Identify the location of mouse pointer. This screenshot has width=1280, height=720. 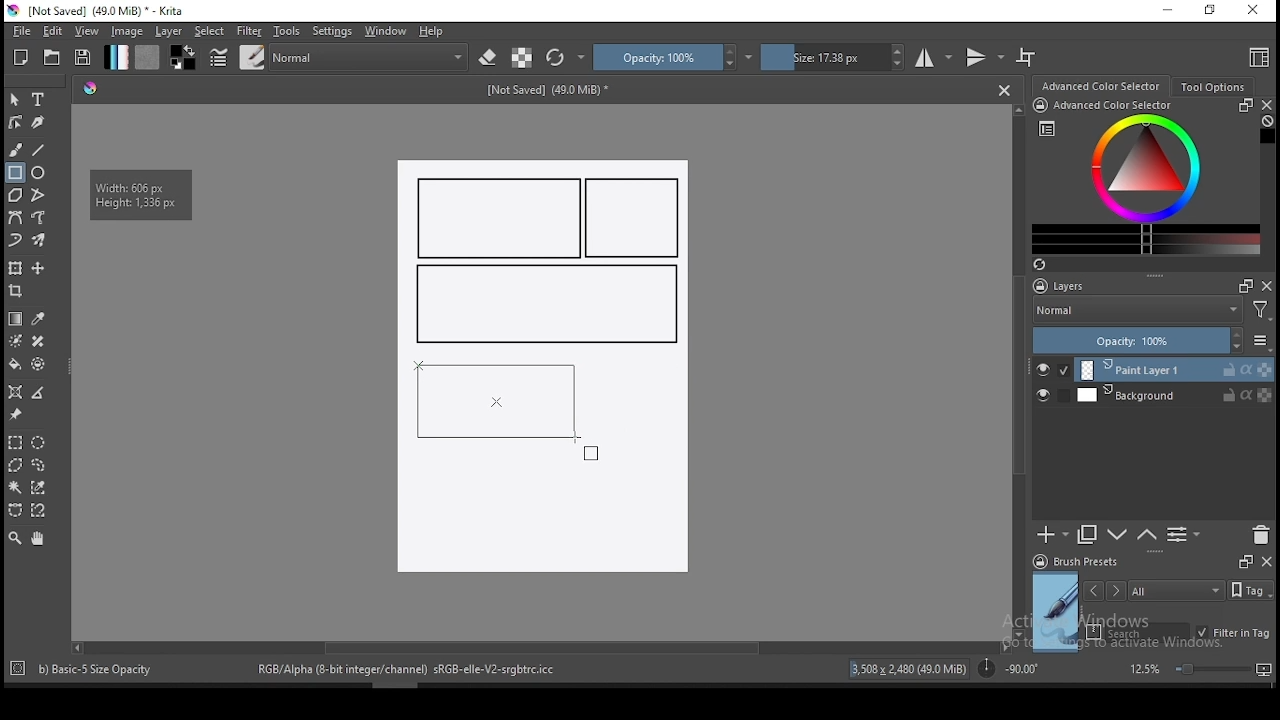
(587, 449).